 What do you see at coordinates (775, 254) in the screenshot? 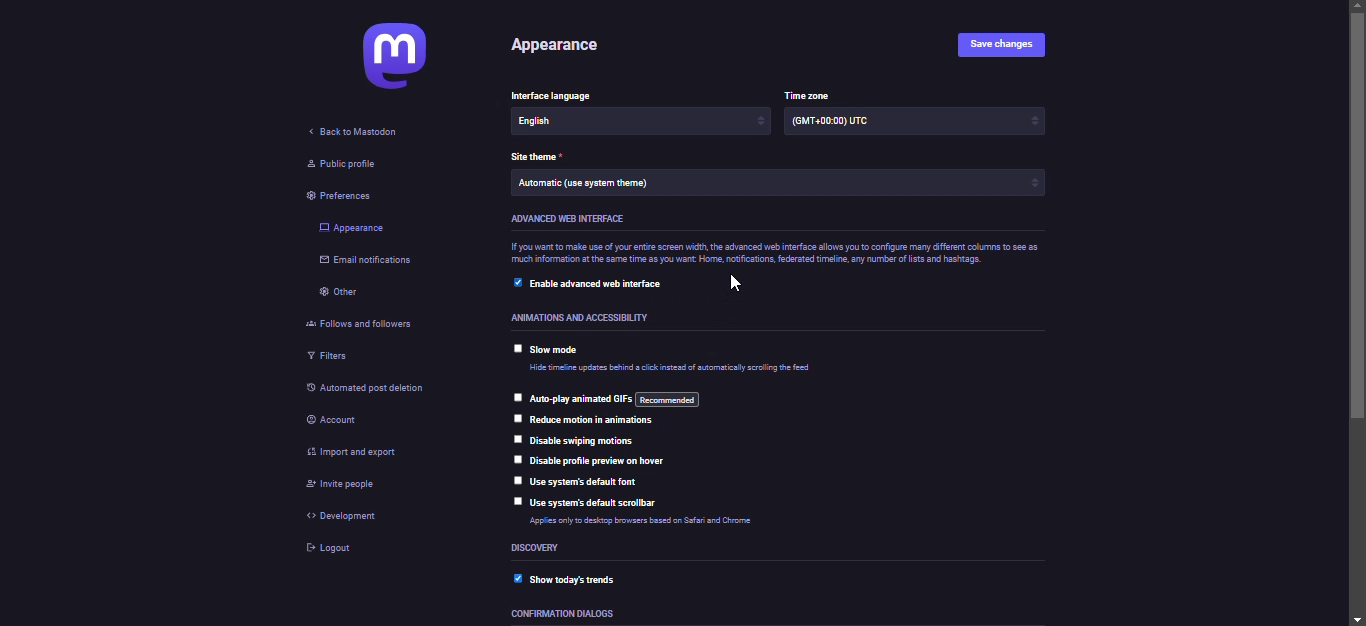
I see `If you want to make use of your entire screen width, the advanced web interface allows you to configure many different columns to see as much information at the same time as you want Home, notifications, federated time, any number of lists and hashtags.` at bounding box center [775, 254].